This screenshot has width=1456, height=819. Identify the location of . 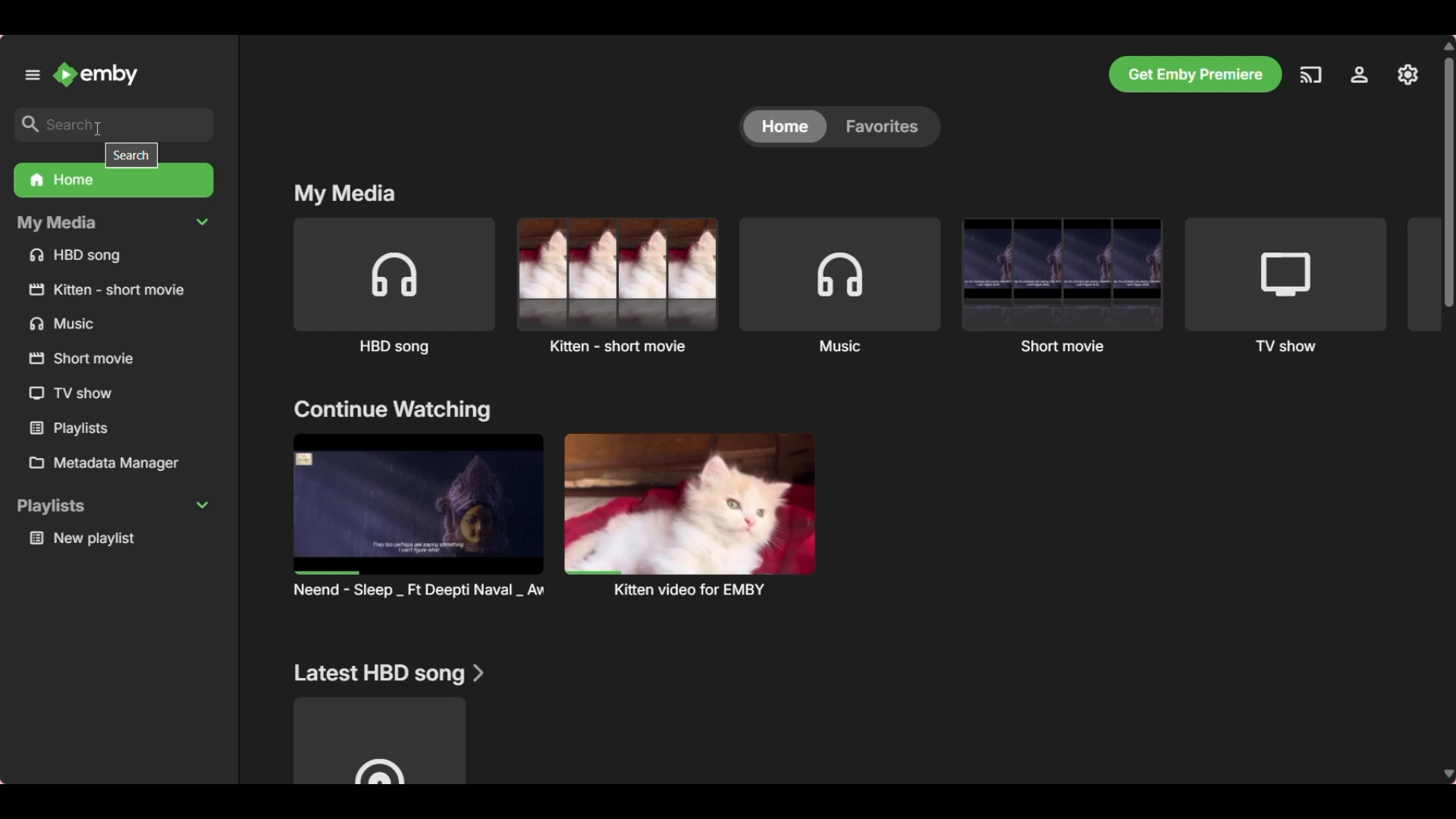
(85, 357).